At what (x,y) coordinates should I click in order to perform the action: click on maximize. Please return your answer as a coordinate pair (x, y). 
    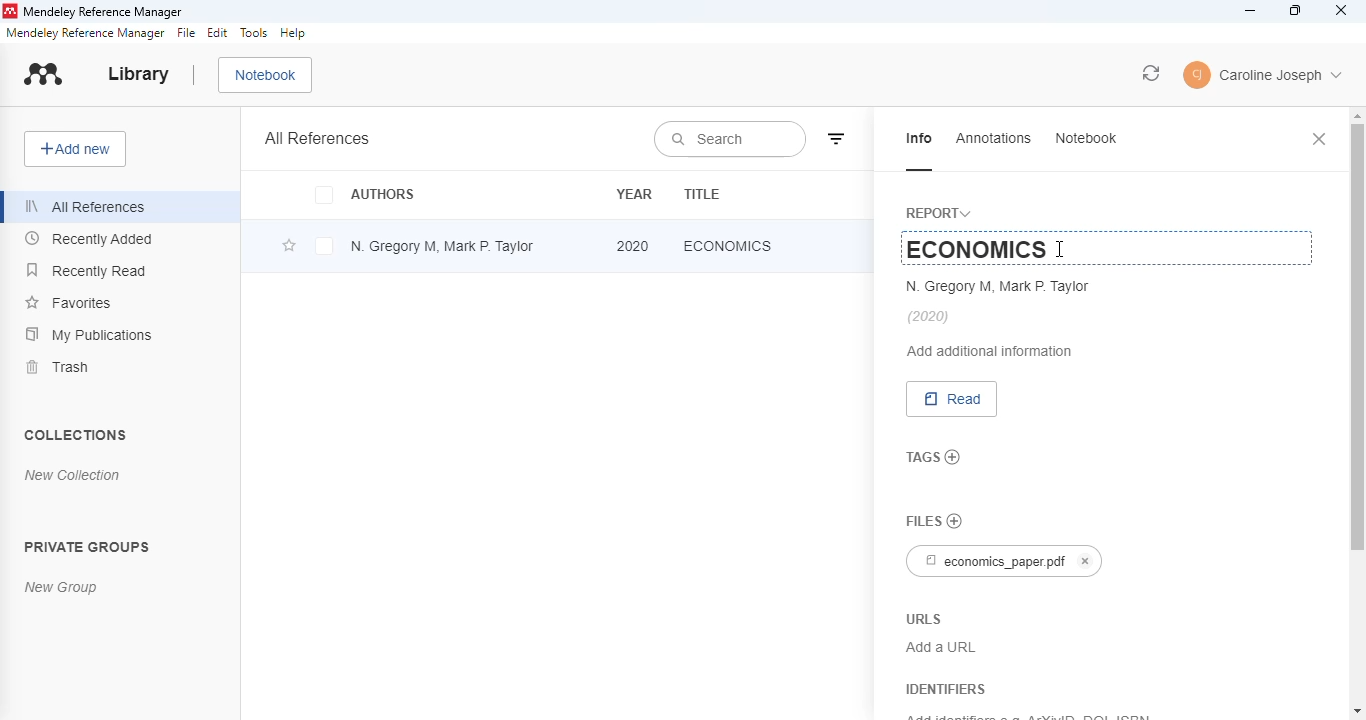
    Looking at the image, I should click on (1295, 11).